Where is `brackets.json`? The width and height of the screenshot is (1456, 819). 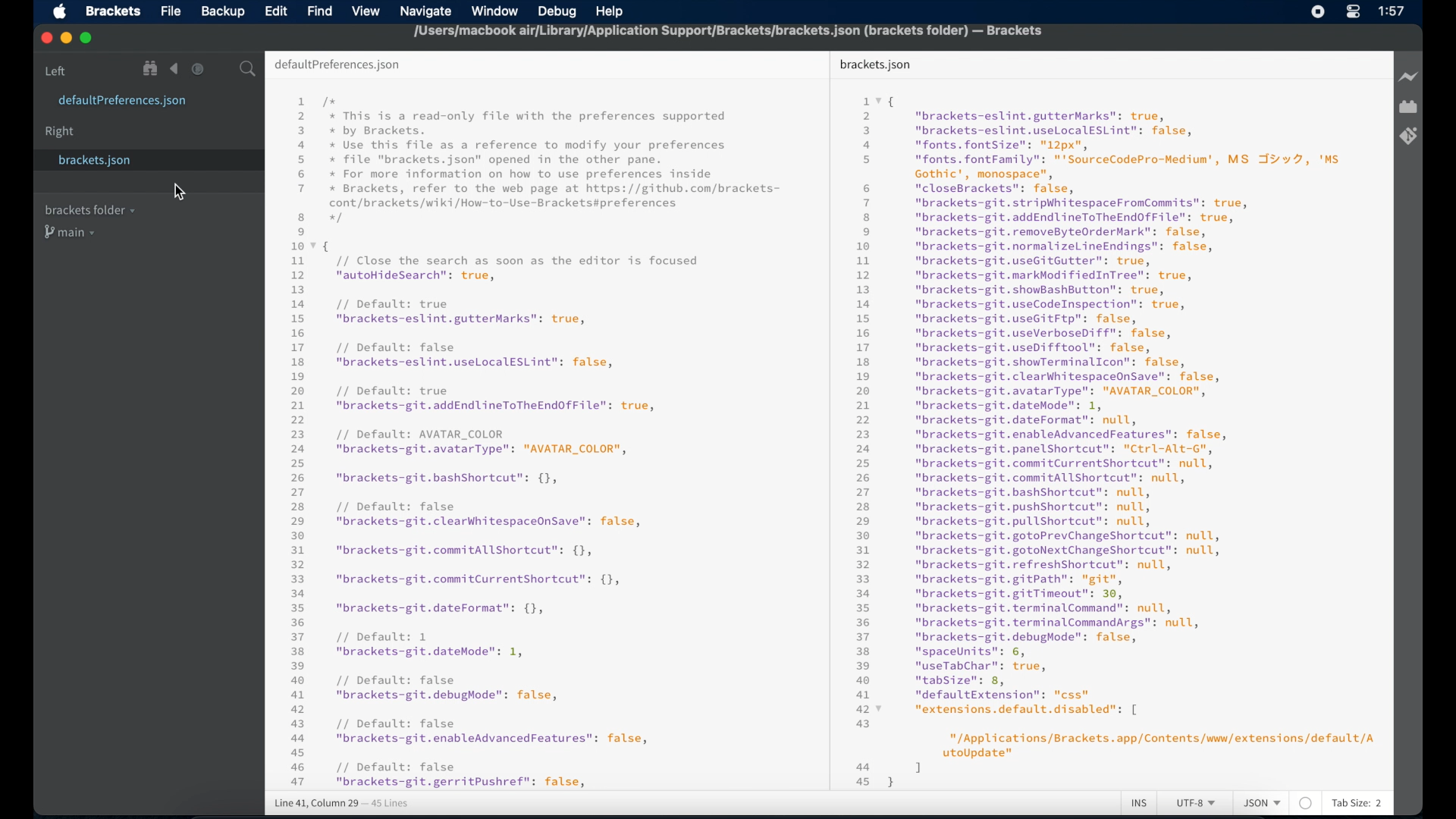
brackets.json is located at coordinates (121, 161).